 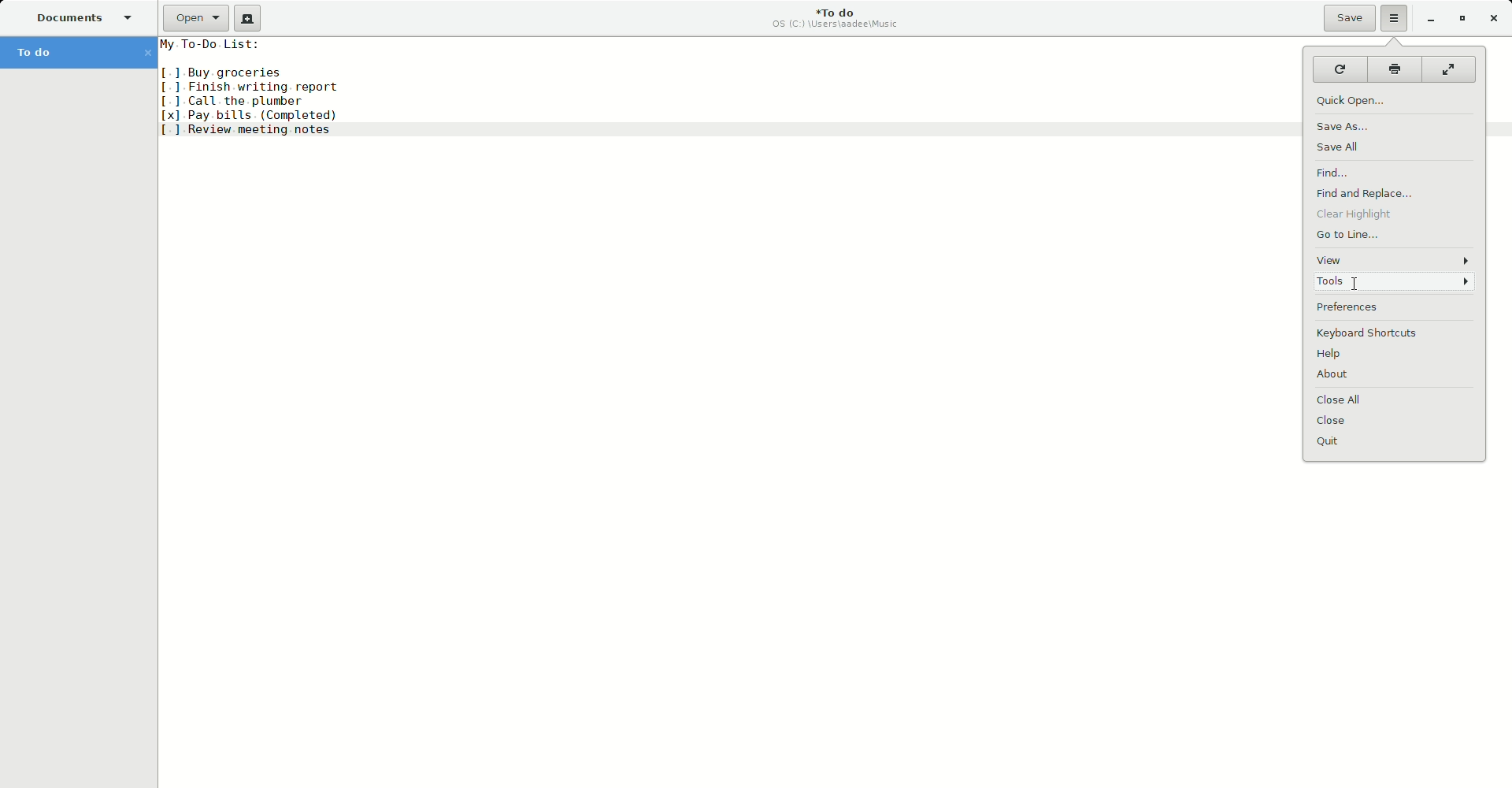 What do you see at coordinates (250, 19) in the screenshot?
I see `New` at bounding box center [250, 19].